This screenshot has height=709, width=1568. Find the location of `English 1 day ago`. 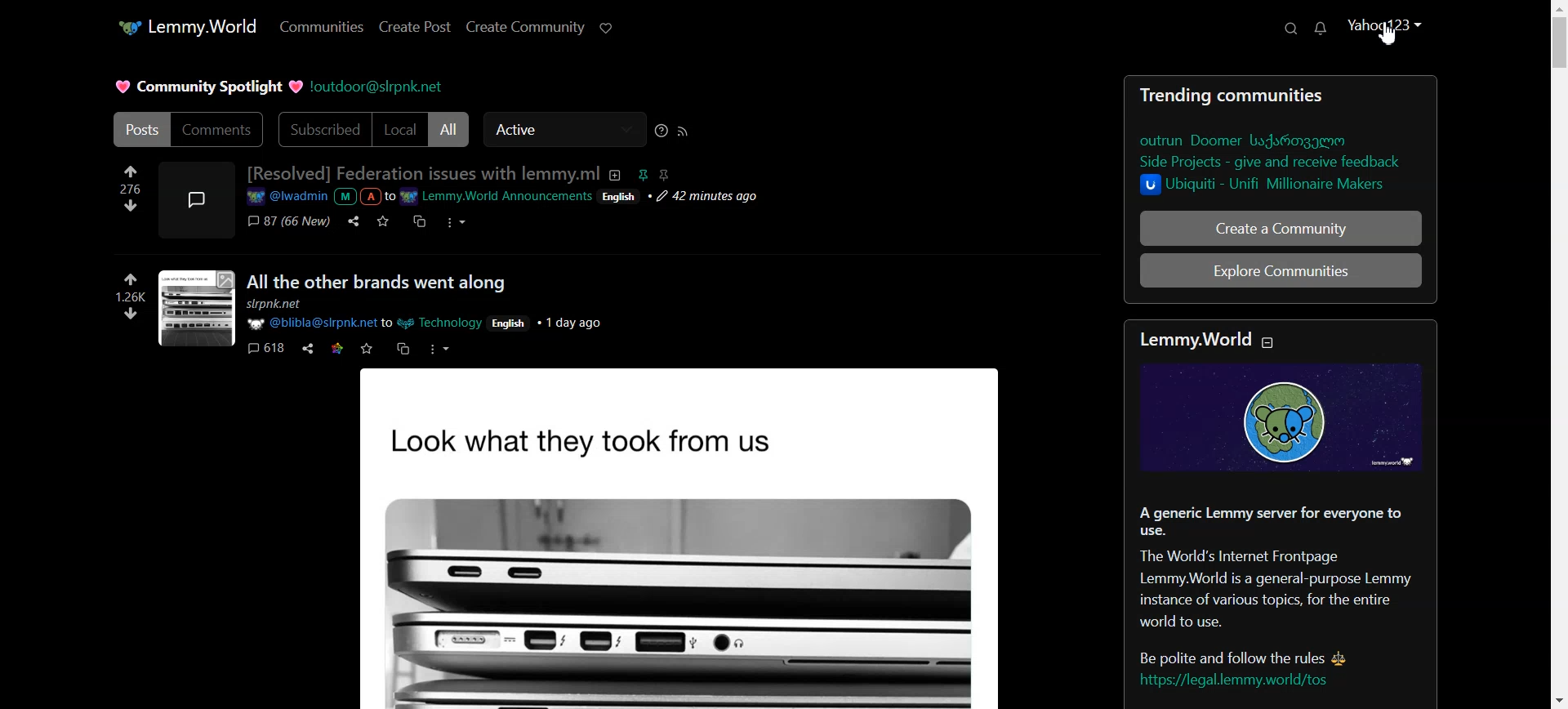

English 1 day ago is located at coordinates (548, 321).